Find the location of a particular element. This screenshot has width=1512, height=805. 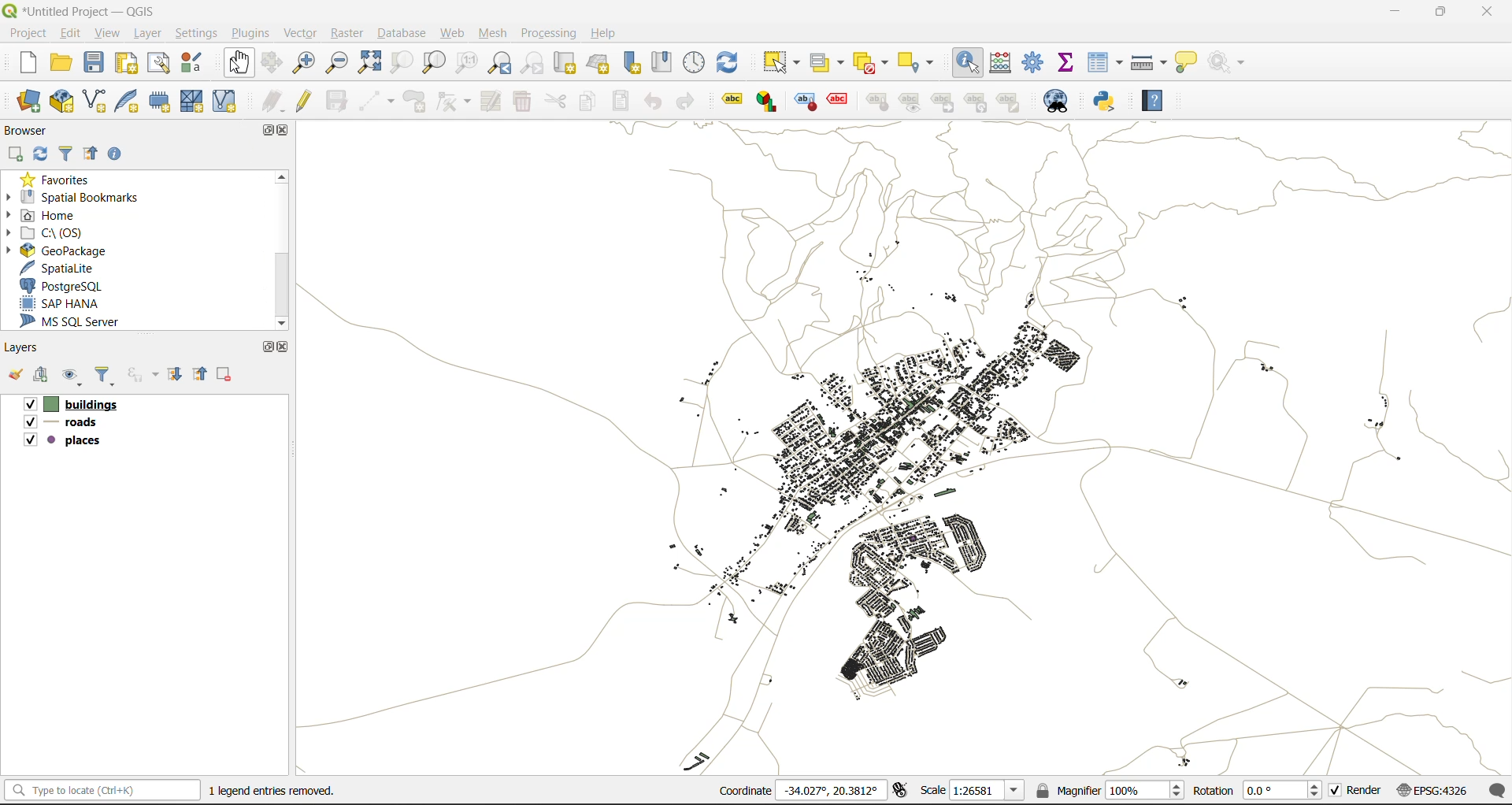

expand all is located at coordinates (177, 375).